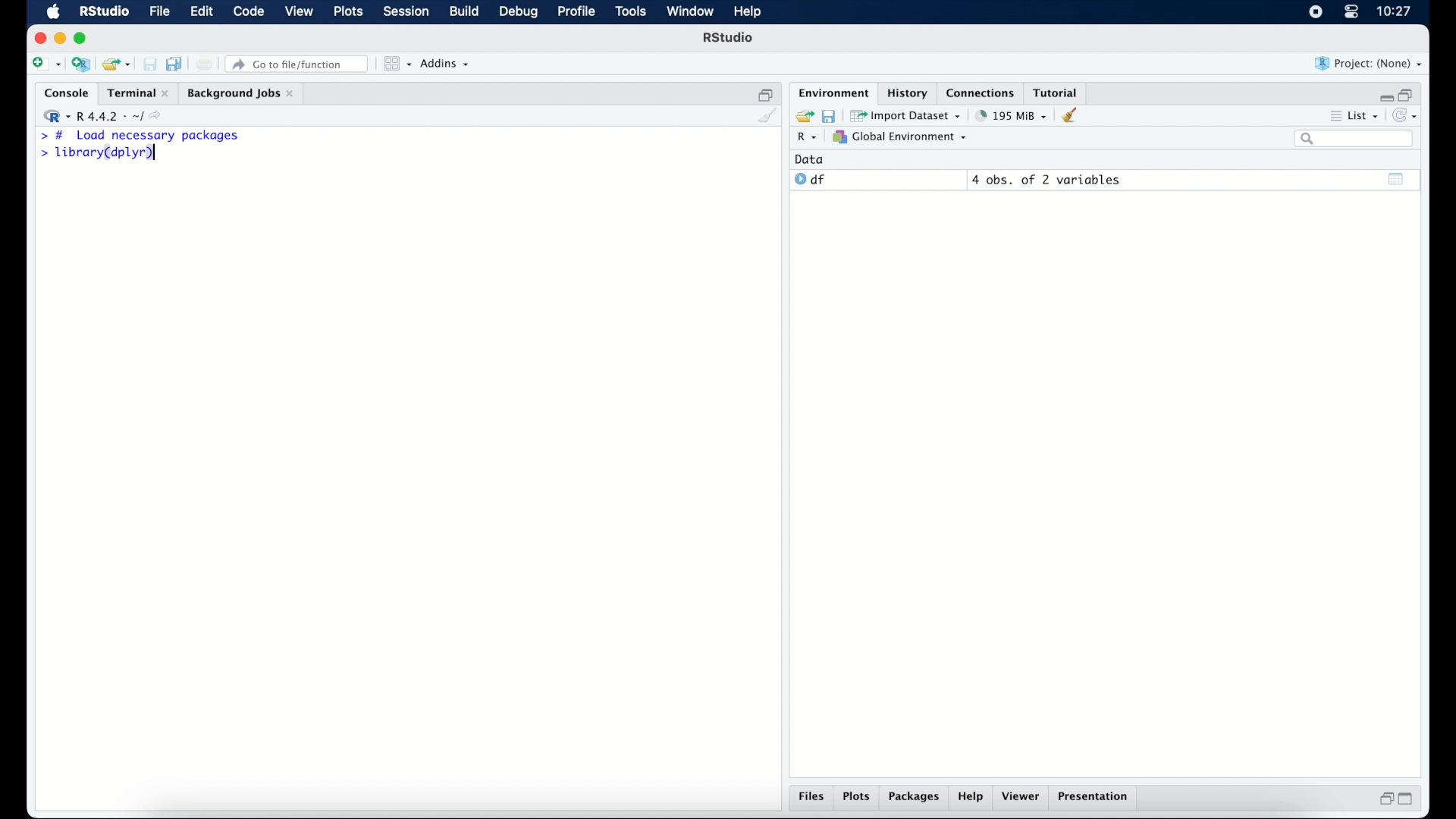 The height and width of the screenshot is (819, 1456). I want to click on workspace panes, so click(396, 64).